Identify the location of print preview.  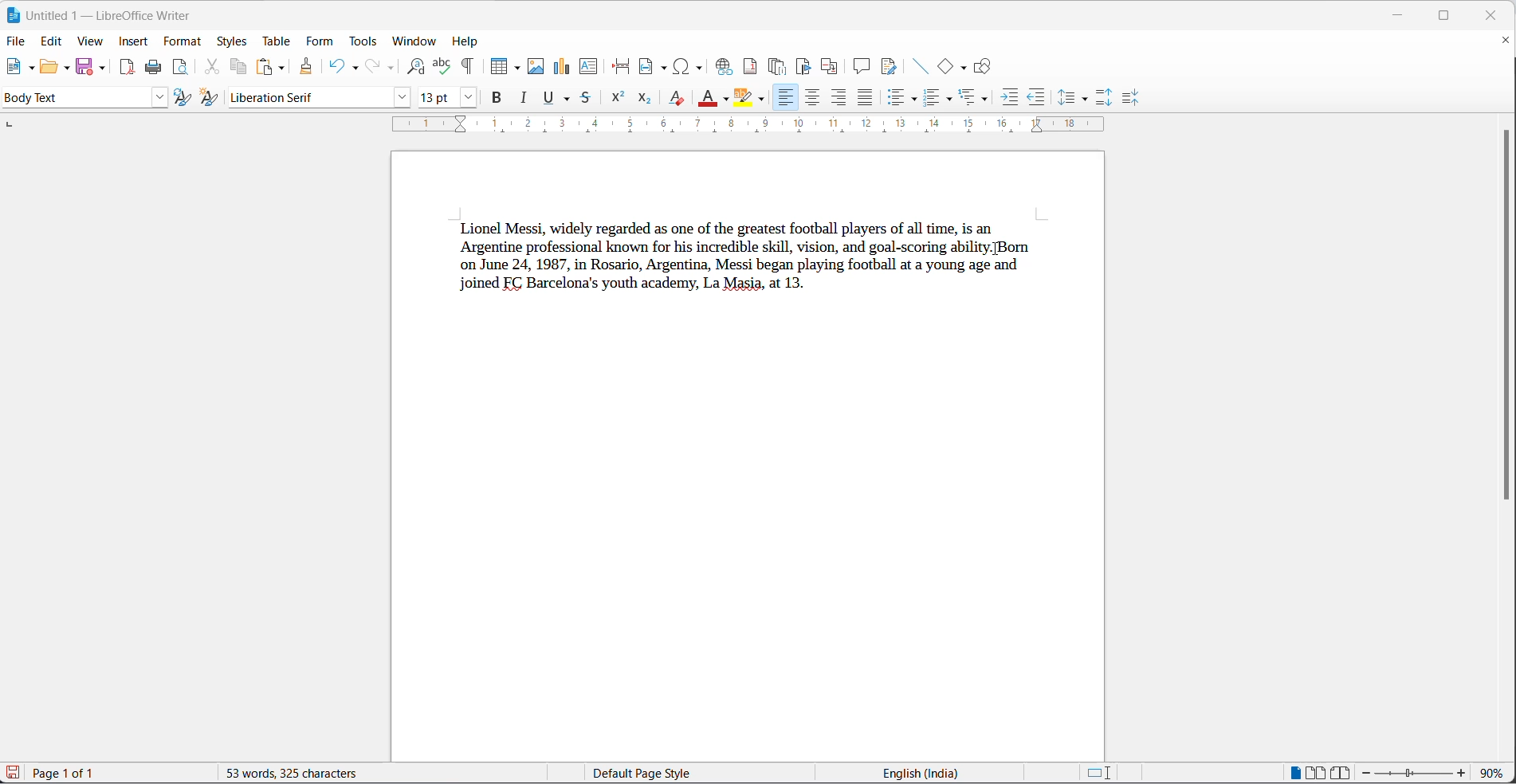
(181, 69).